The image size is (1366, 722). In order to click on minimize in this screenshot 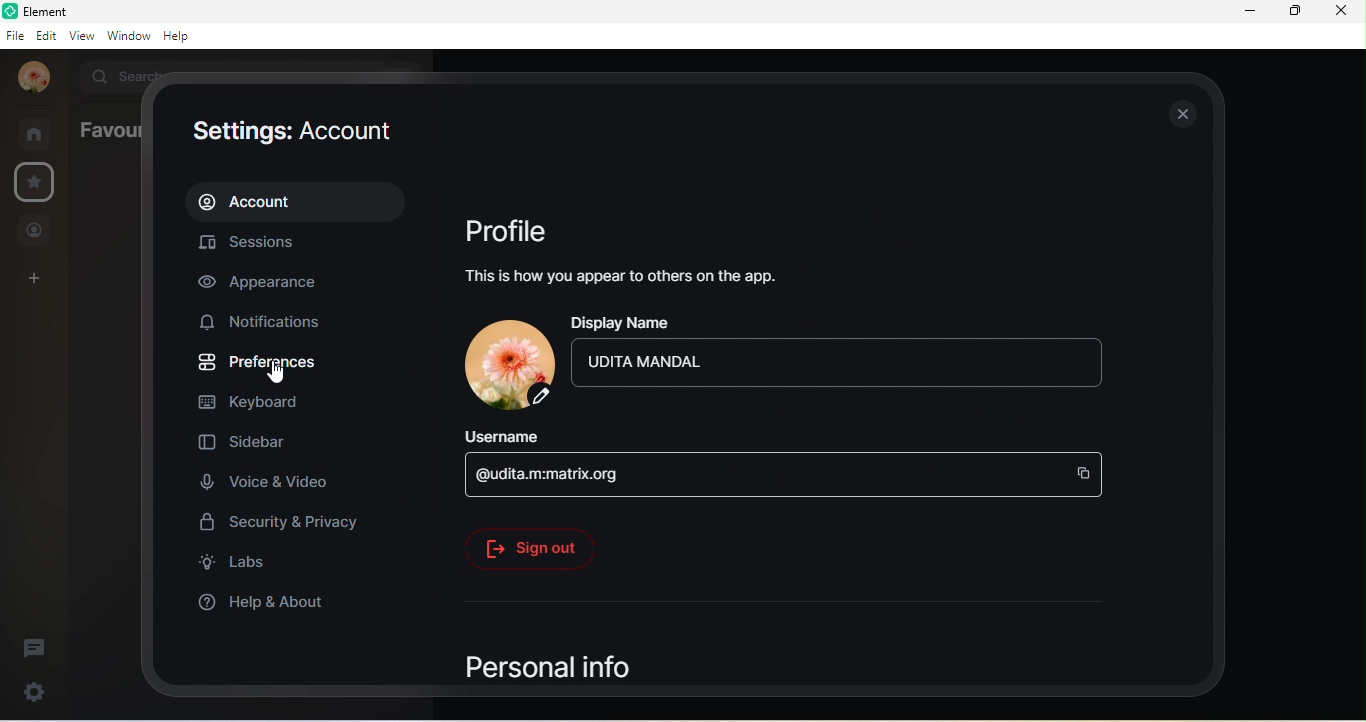, I will do `click(1245, 14)`.